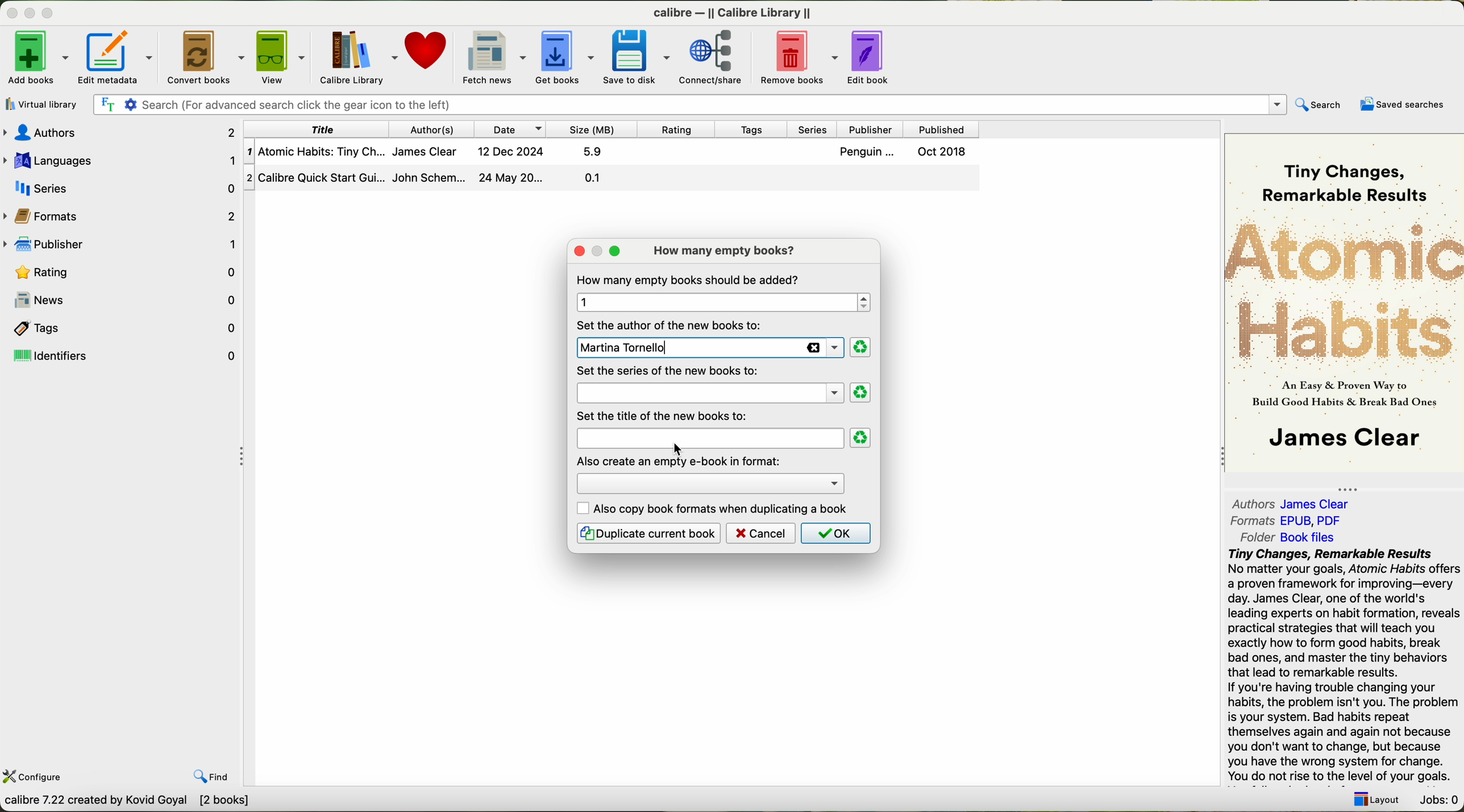 The image size is (1464, 812). What do you see at coordinates (212, 778) in the screenshot?
I see `find` at bounding box center [212, 778].